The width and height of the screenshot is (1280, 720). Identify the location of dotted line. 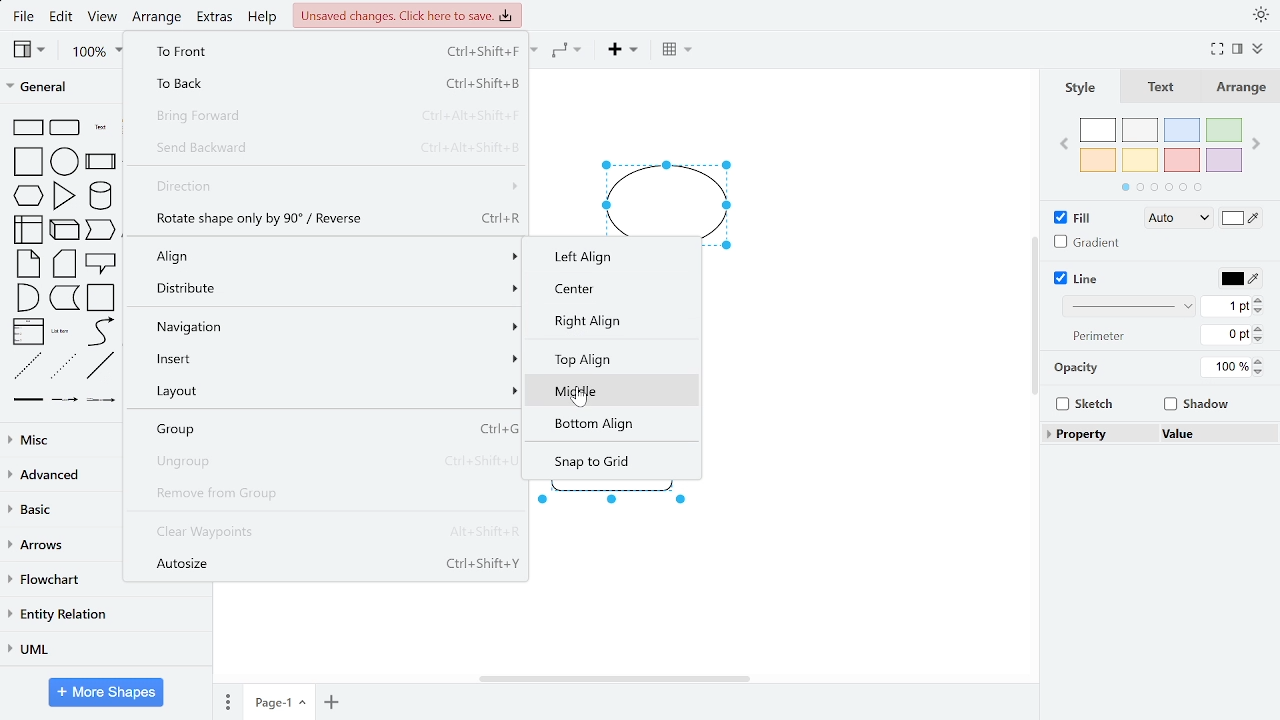
(64, 367).